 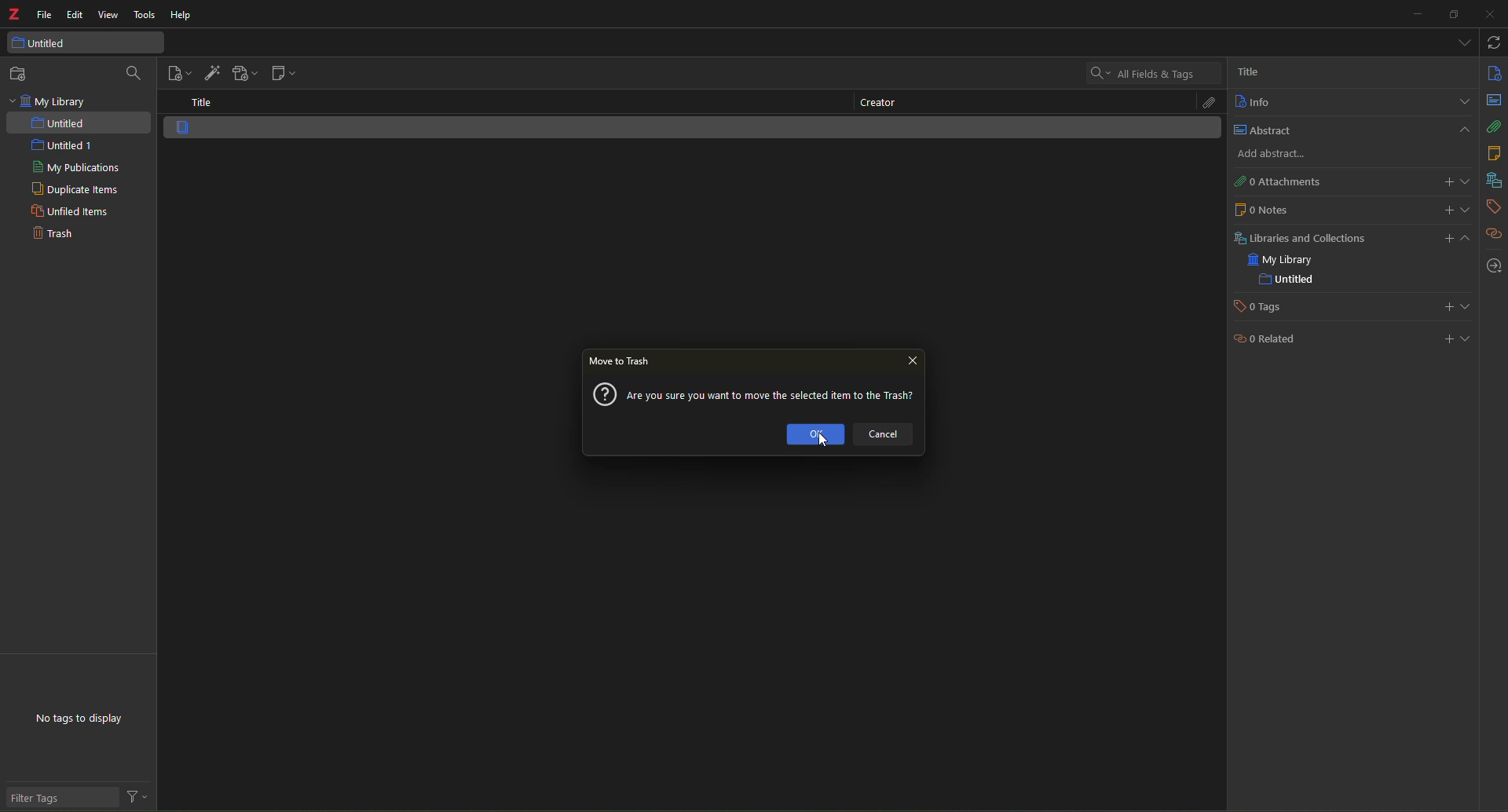 What do you see at coordinates (203, 101) in the screenshot?
I see `title` at bounding box center [203, 101].